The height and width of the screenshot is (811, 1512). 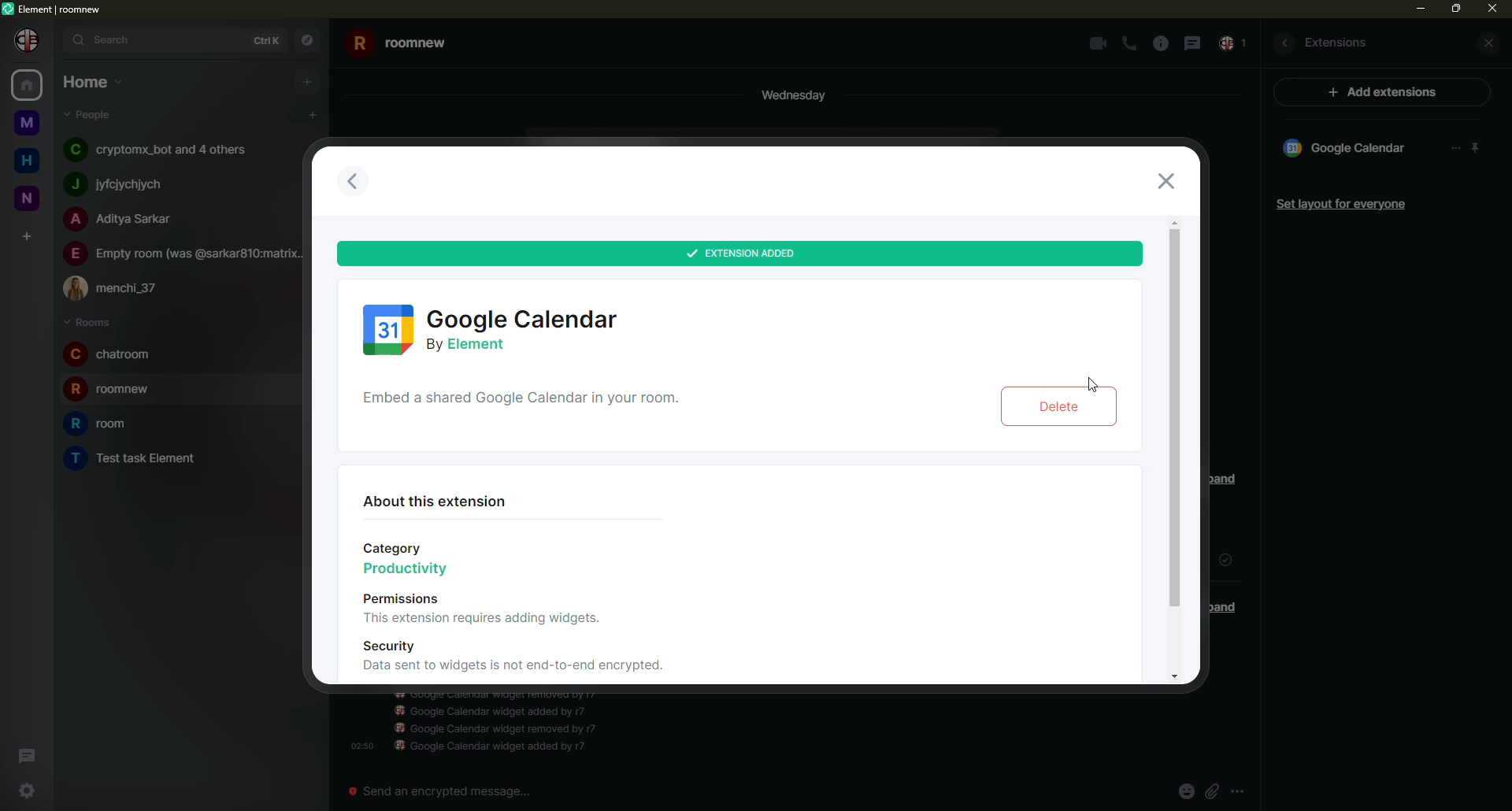 What do you see at coordinates (1174, 420) in the screenshot?
I see `scroll` at bounding box center [1174, 420].